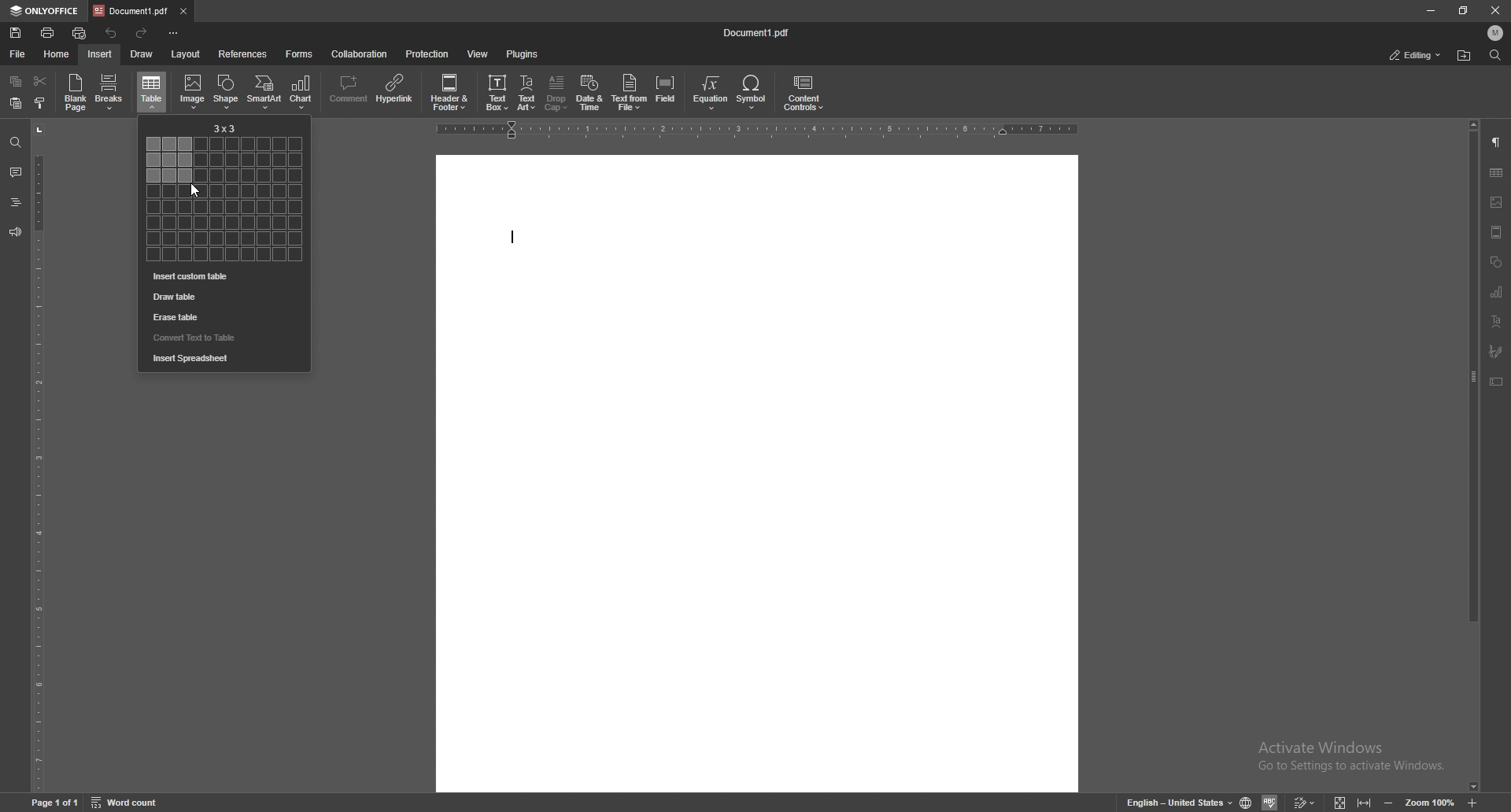  Describe the element at coordinates (1365, 803) in the screenshot. I see `fit to width` at that location.